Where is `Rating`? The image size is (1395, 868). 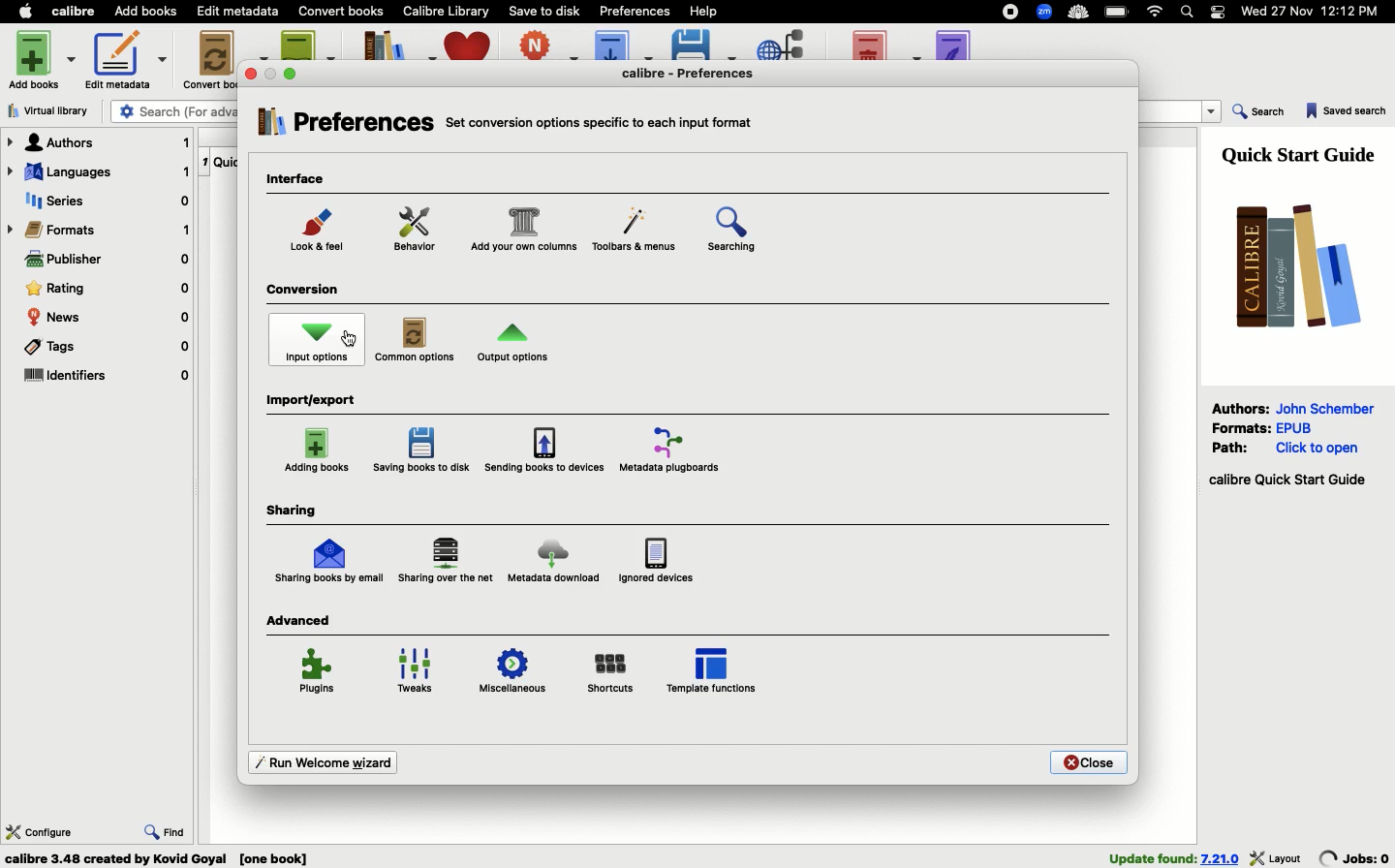 Rating is located at coordinates (108, 289).